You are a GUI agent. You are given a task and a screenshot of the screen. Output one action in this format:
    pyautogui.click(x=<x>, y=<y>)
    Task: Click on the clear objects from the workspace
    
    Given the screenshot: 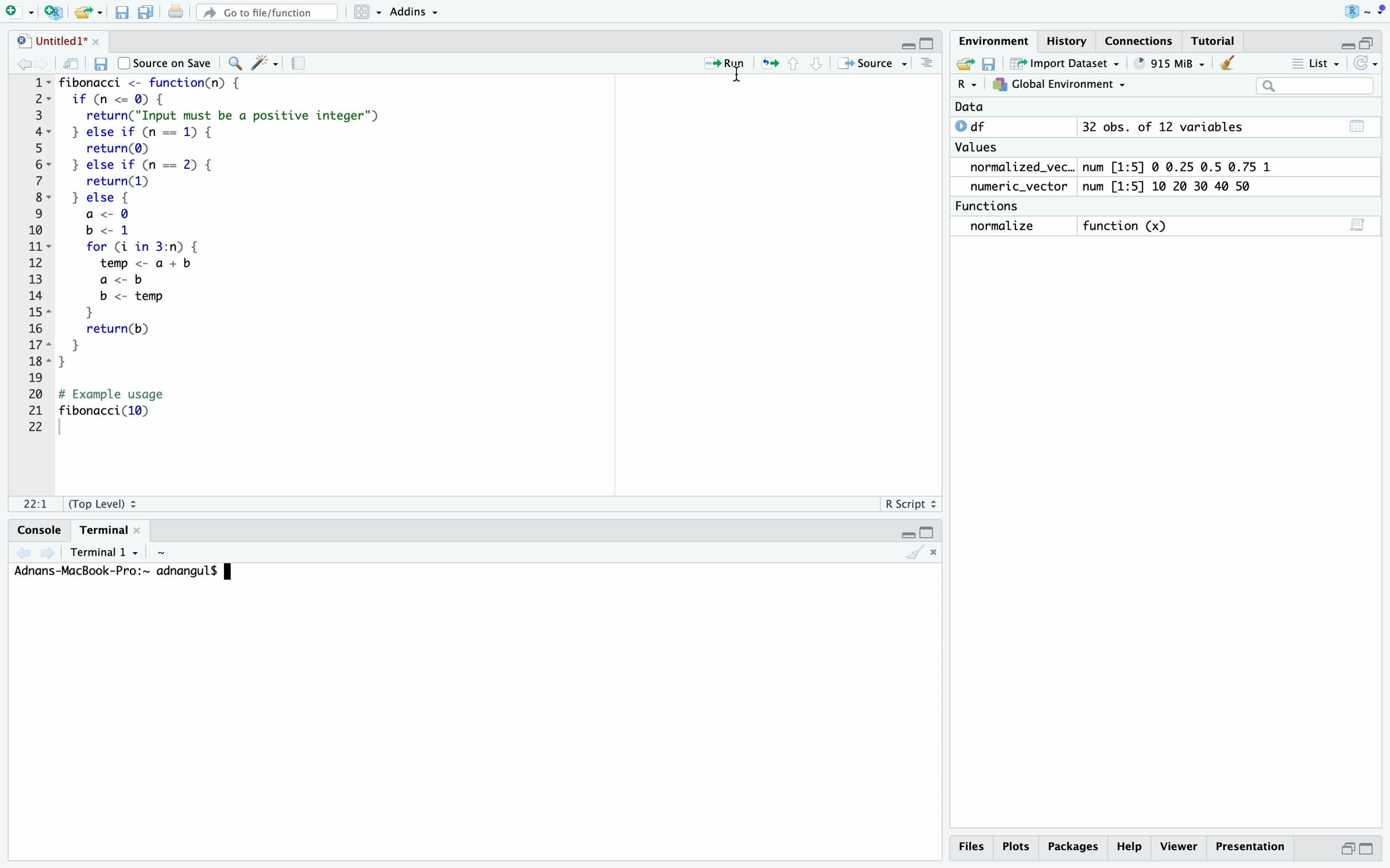 What is the action you would take?
    pyautogui.click(x=1228, y=63)
    